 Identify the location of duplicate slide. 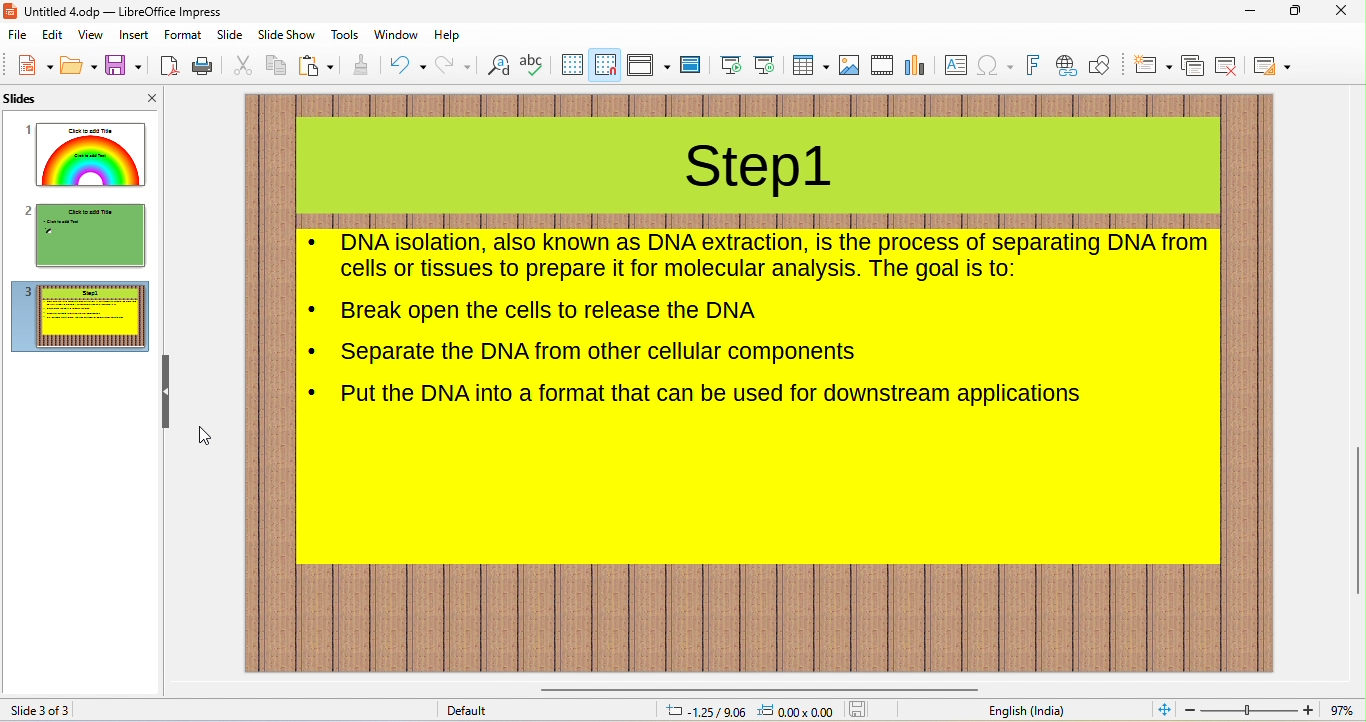
(1193, 67).